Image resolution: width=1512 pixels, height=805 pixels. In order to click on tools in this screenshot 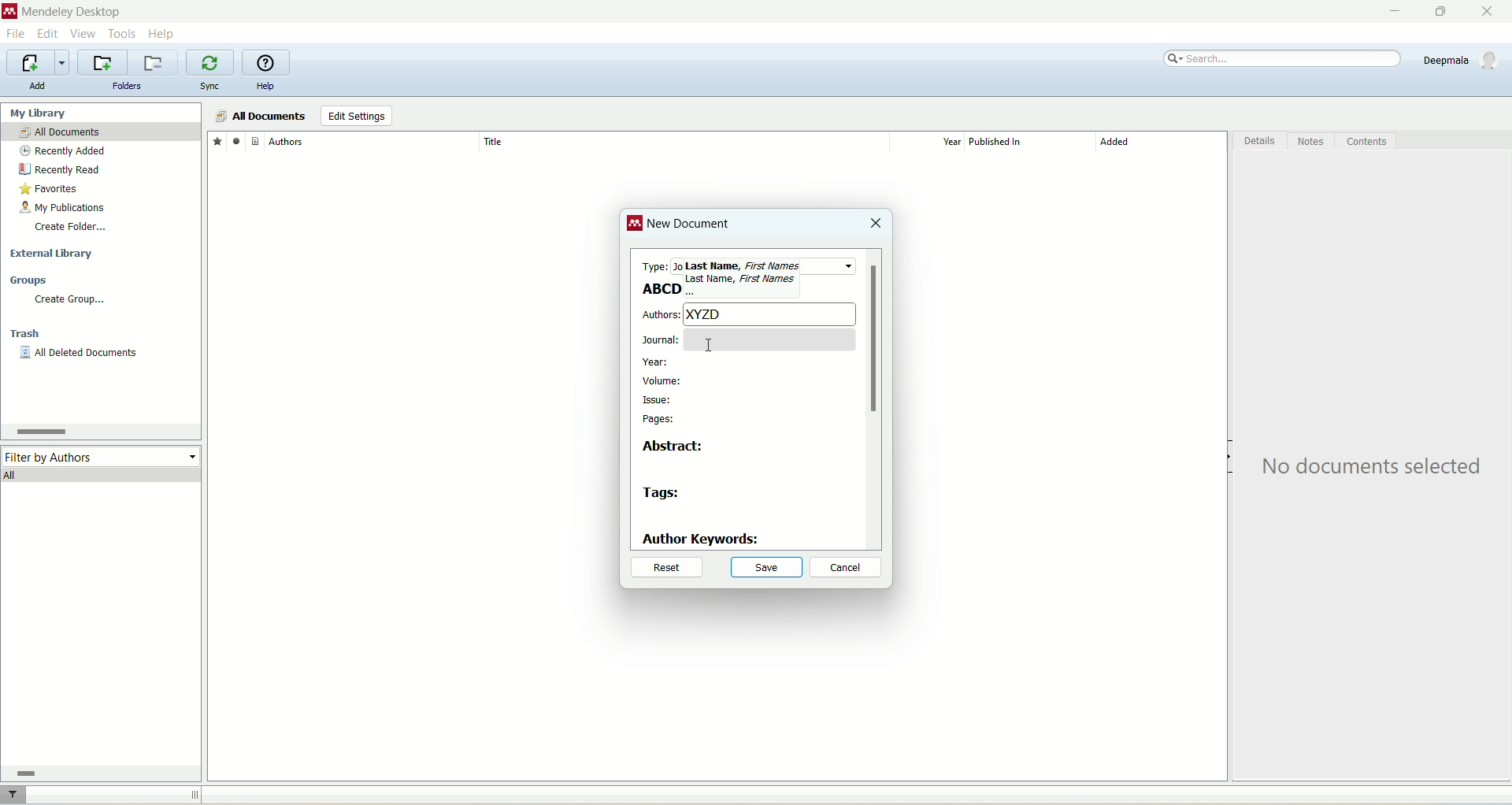, I will do `click(123, 32)`.